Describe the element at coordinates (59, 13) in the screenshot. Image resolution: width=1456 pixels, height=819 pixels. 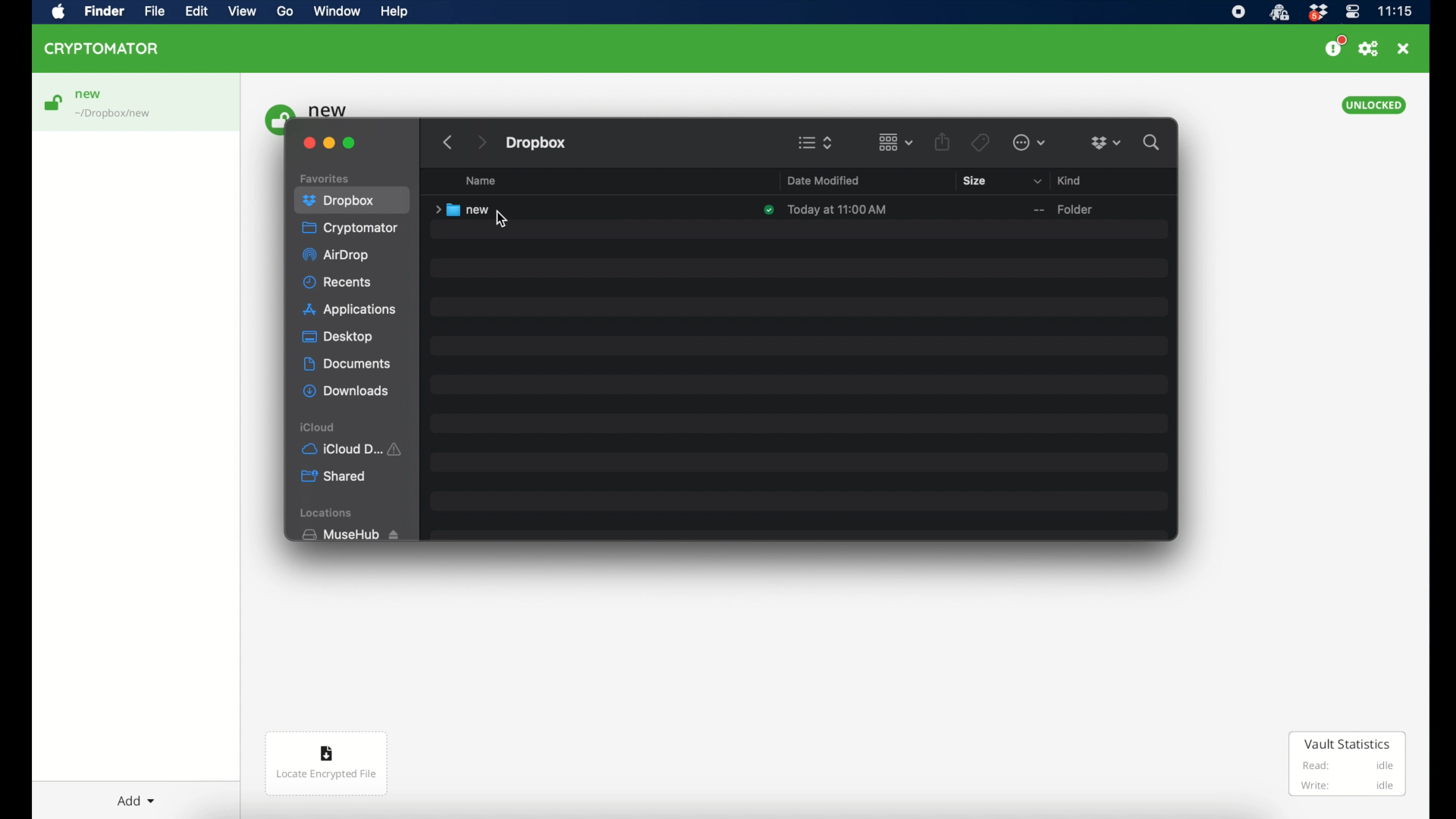
I see `apple icon` at that location.